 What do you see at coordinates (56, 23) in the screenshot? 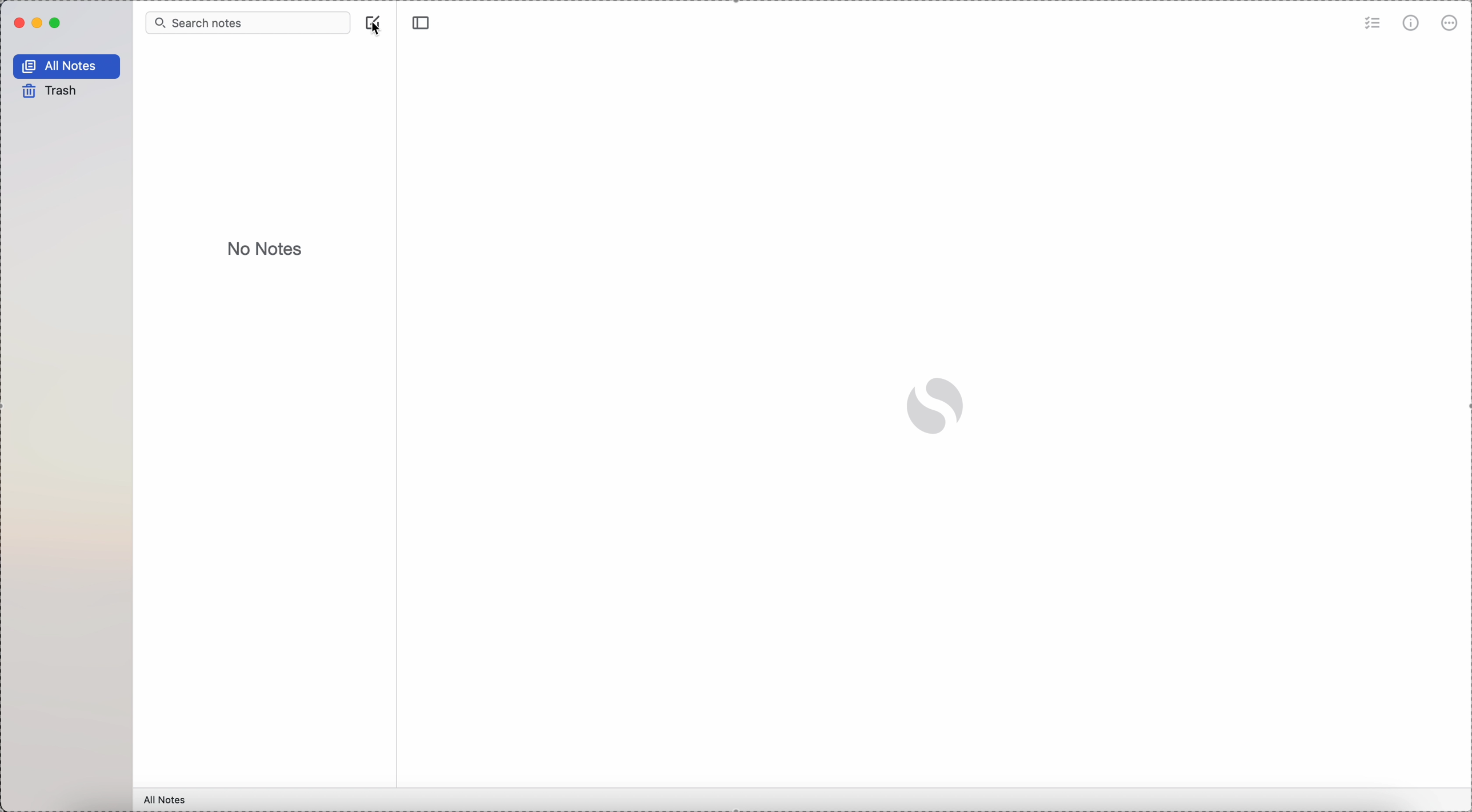
I see `maximize Simplenote` at bounding box center [56, 23].